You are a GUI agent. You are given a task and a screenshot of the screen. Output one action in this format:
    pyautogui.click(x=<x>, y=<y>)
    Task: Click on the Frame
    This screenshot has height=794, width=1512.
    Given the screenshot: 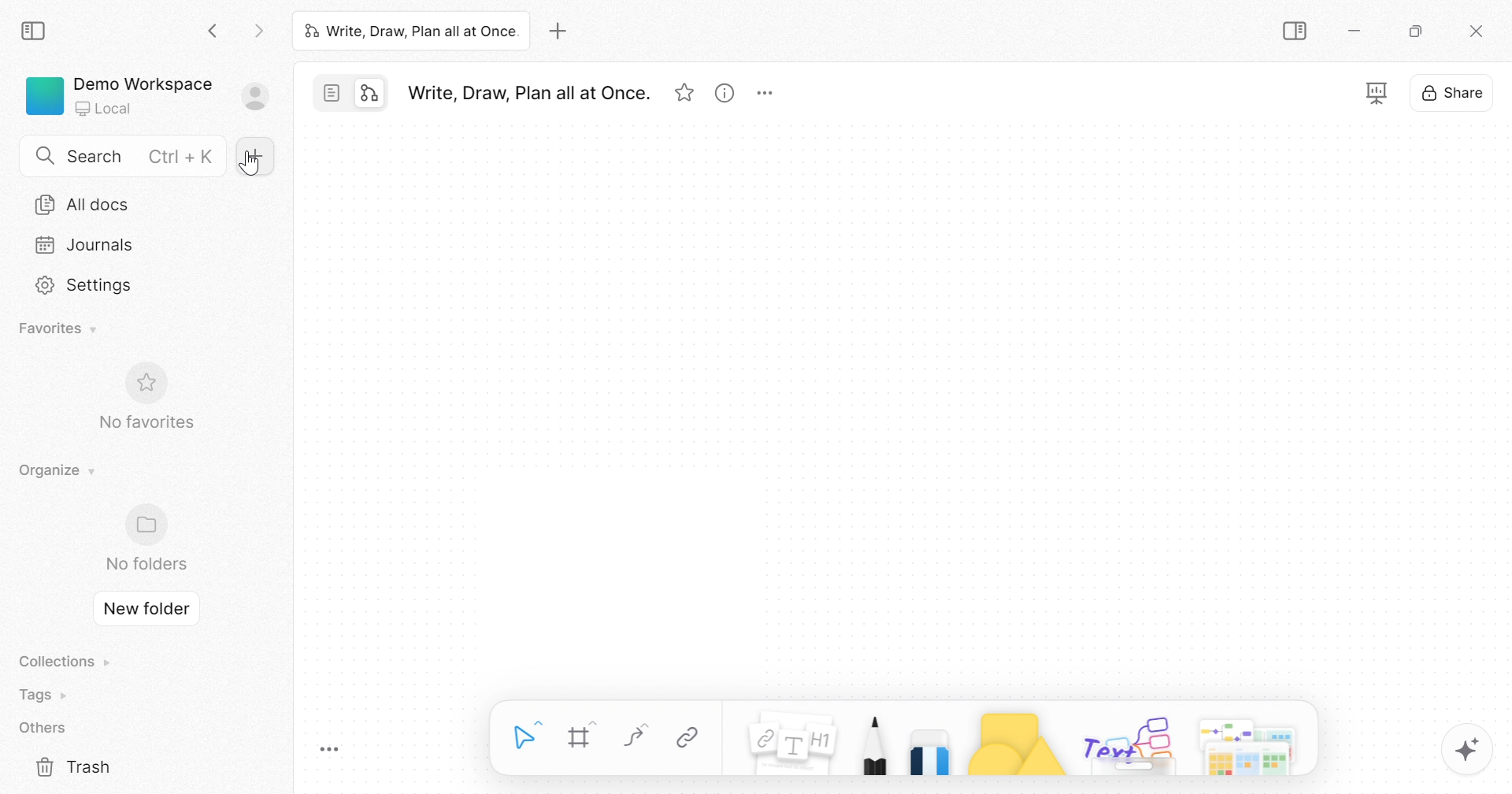 What is the action you would take?
    pyautogui.click(x=582, y=735)
    